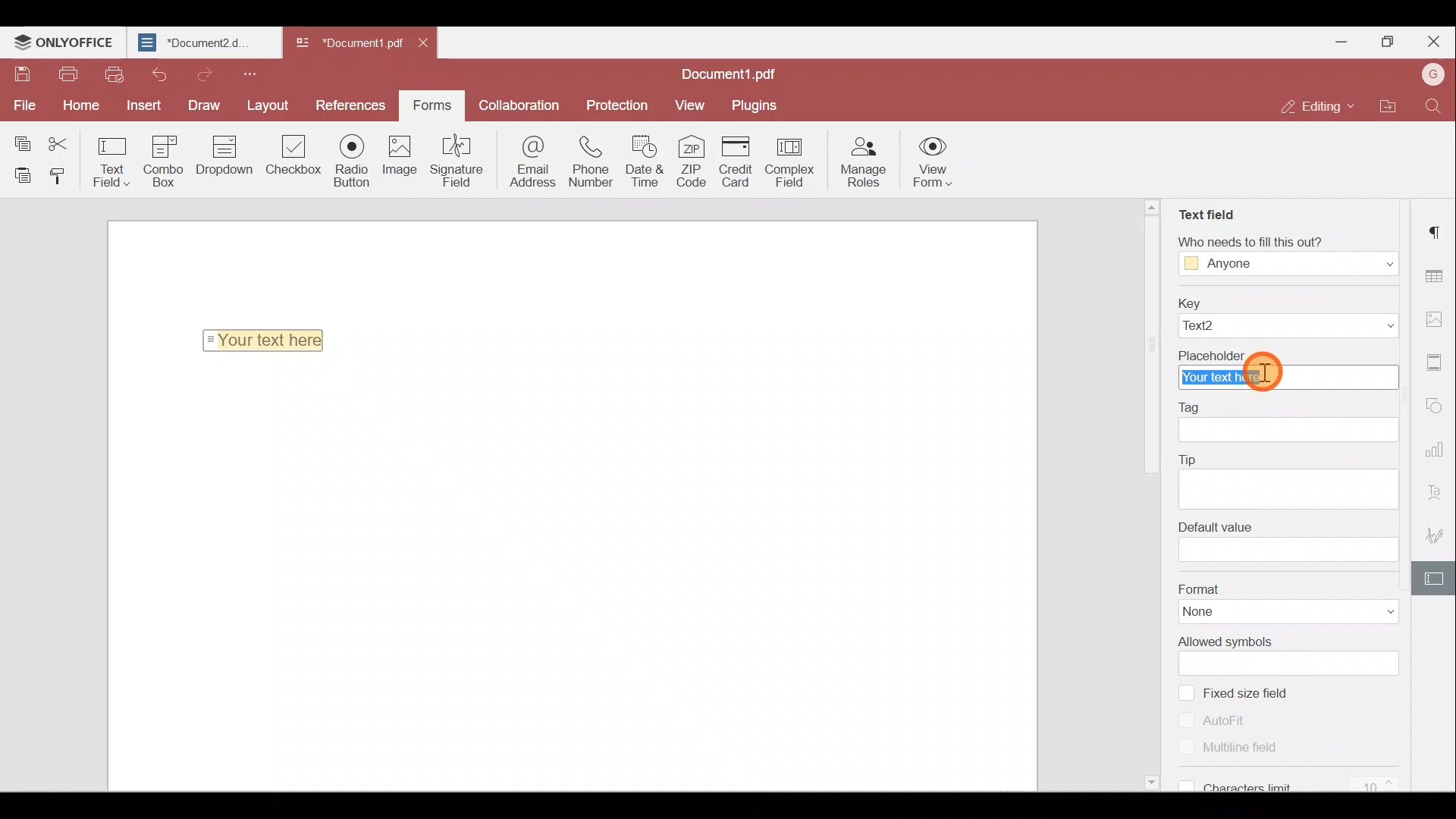  Describe the element at coordinates (1437, 577) in the screenshot. I see `Form settings` at that location.